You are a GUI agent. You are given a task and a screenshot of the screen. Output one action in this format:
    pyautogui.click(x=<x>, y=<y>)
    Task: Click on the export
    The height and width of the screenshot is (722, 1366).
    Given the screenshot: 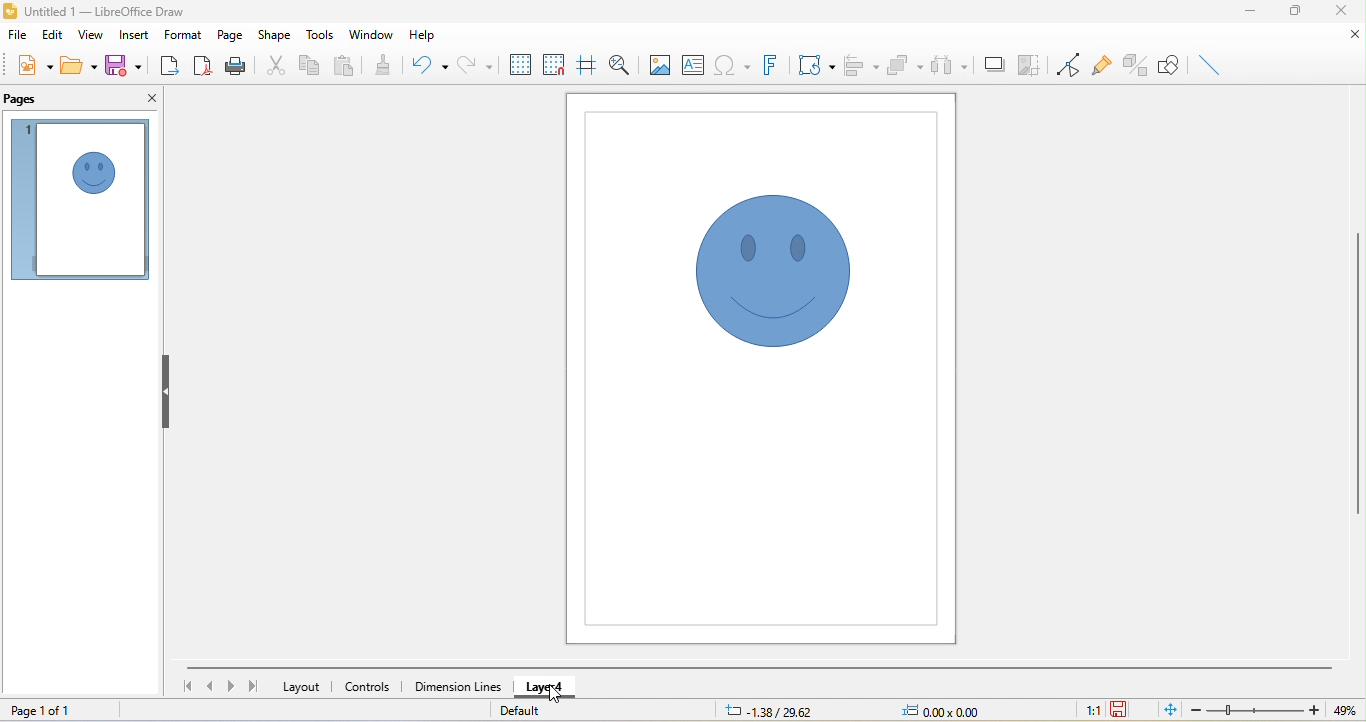 What is the action you would take?
    pyautogui.click(x=167, y=63)
    